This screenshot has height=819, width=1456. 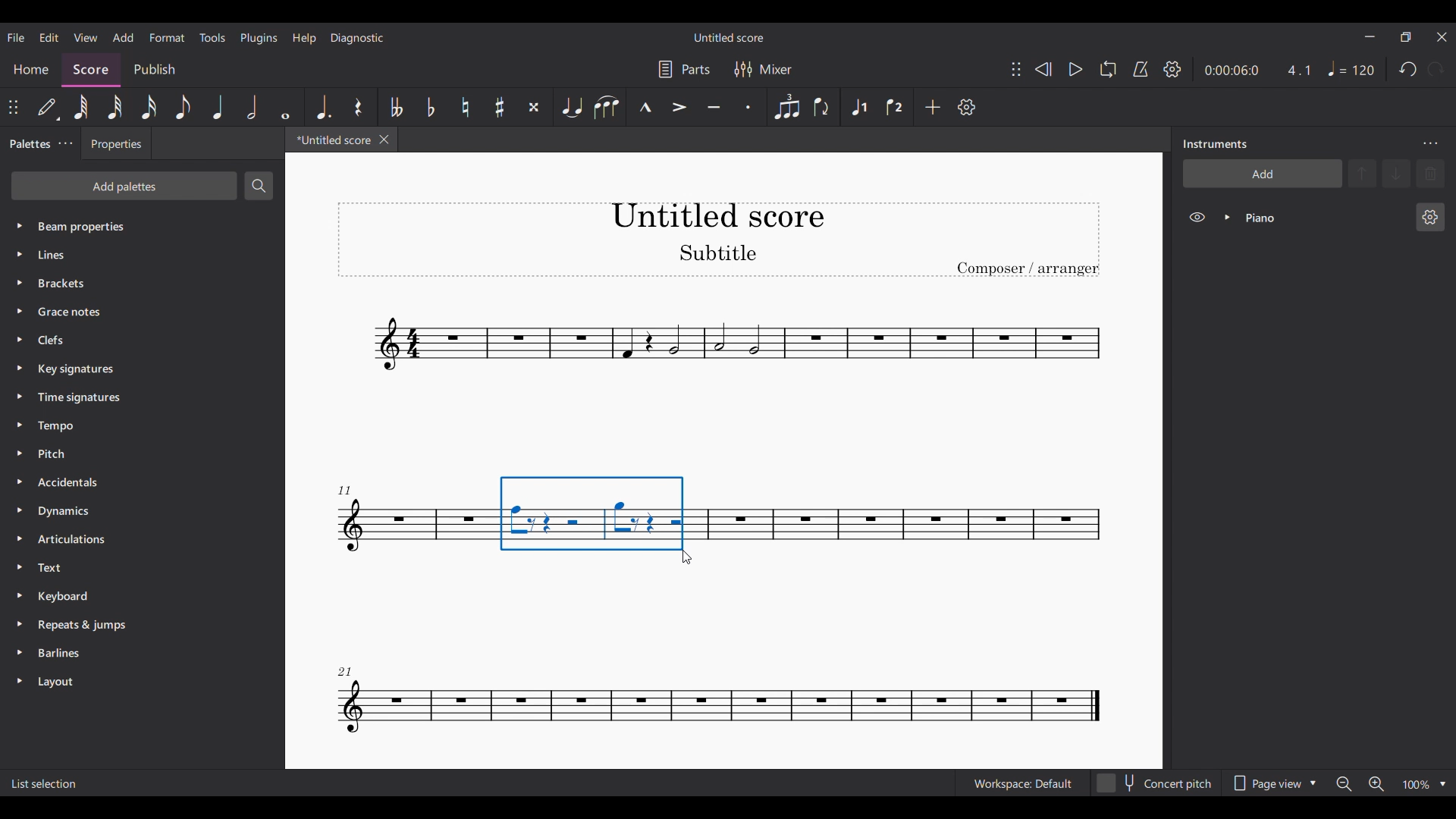 What do you see at coordinates (44, 783) in the screenshot?
I see `Description of current selection` at bounding box center [44, 783].